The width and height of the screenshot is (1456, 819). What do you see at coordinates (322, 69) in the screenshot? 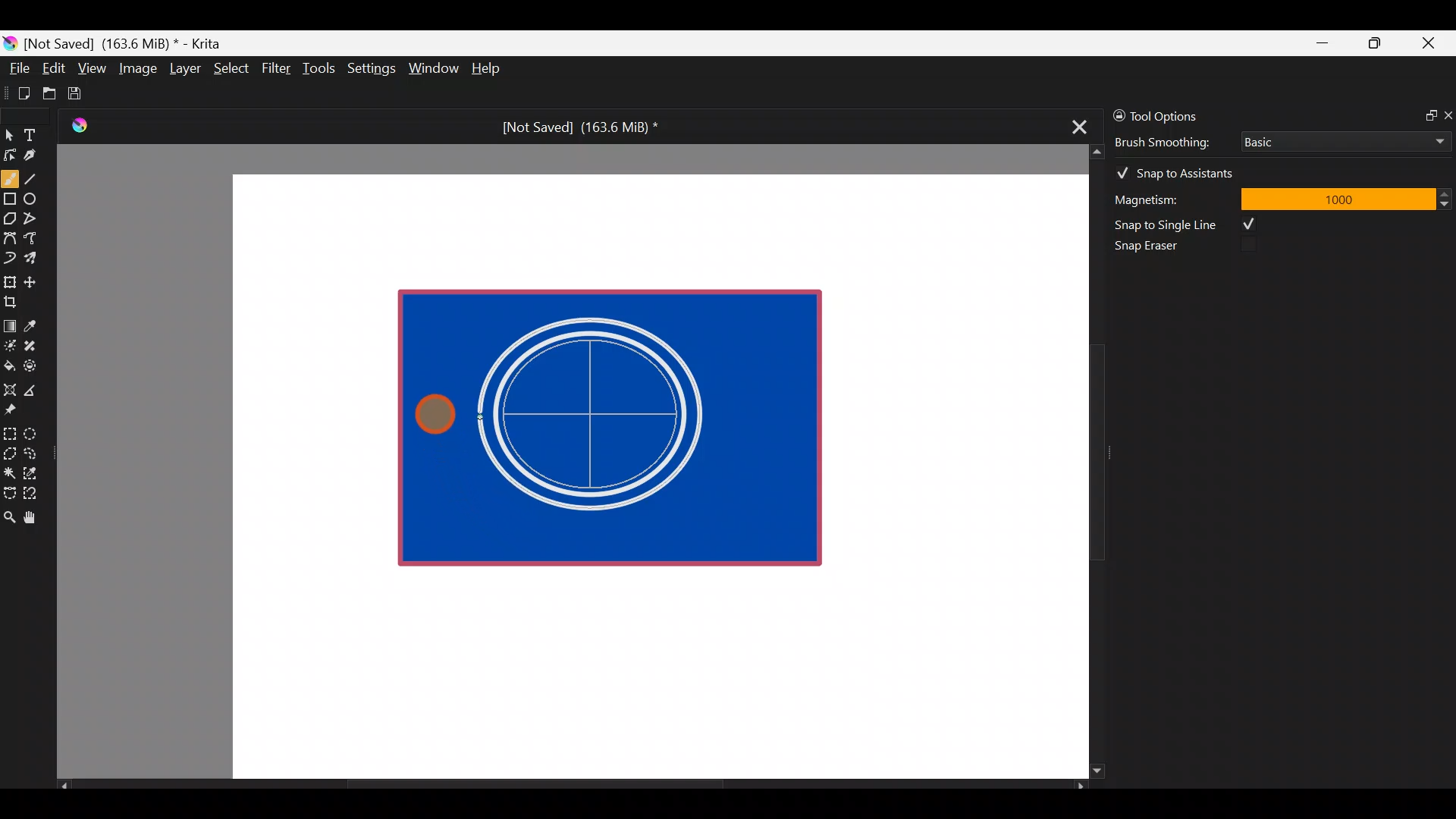
I see `Tools` at bounding box center [322, 69].